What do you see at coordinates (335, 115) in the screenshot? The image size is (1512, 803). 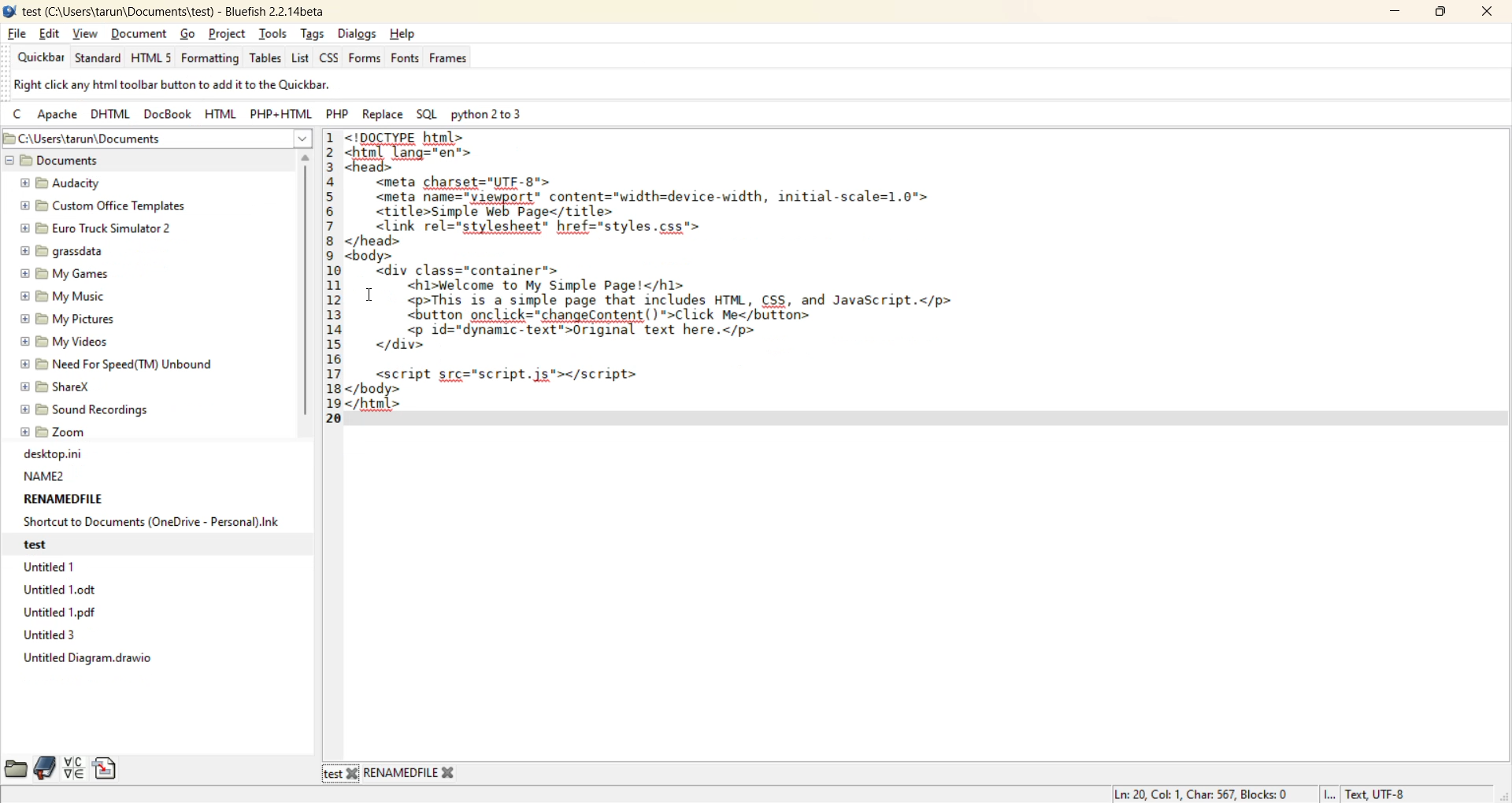 I see `php` at bounding box center [335, 115].